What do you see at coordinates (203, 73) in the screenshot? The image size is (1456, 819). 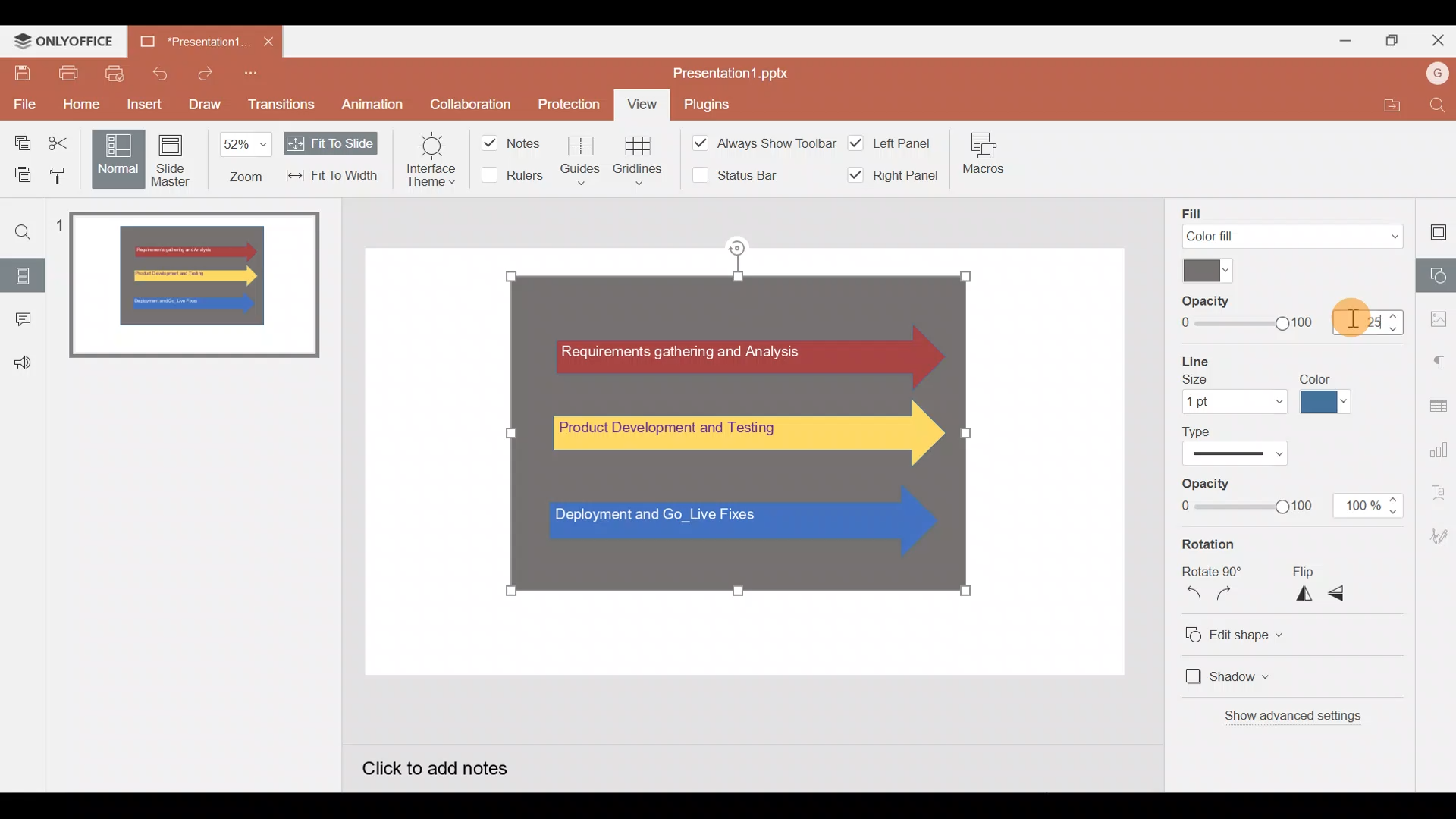 I see `Redo` at bounding box center [203, 73].